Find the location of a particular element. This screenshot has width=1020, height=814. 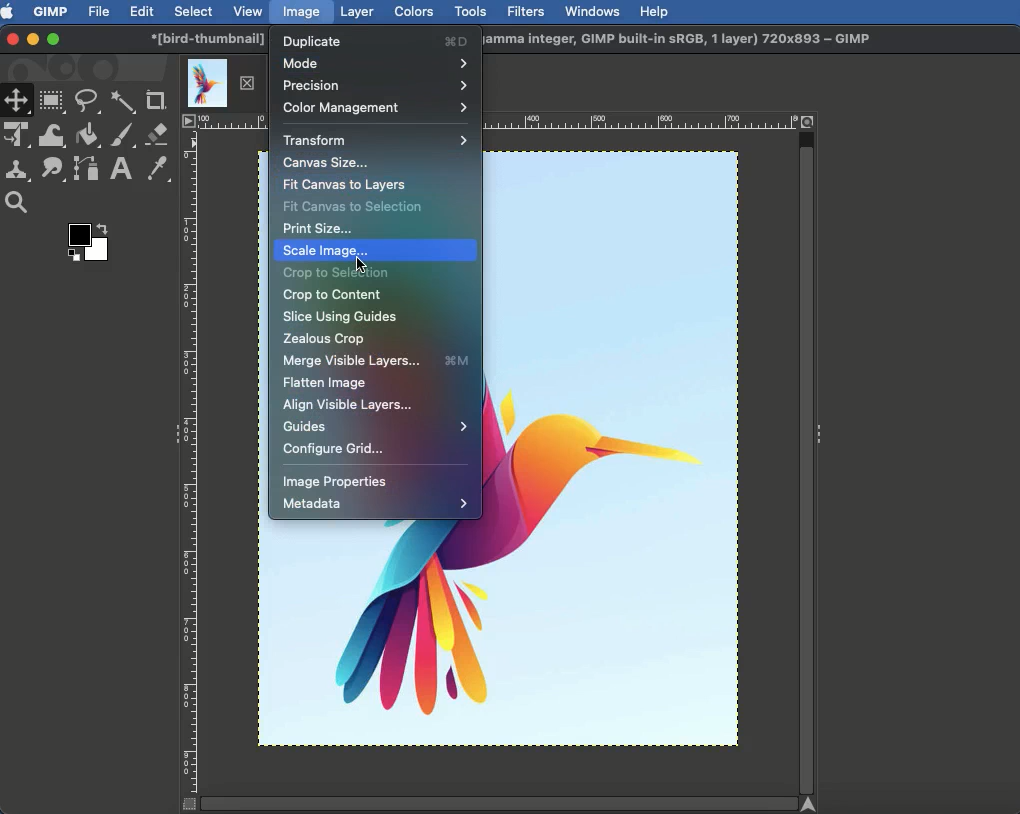

Canvas size is located at coordinates (324, 165).